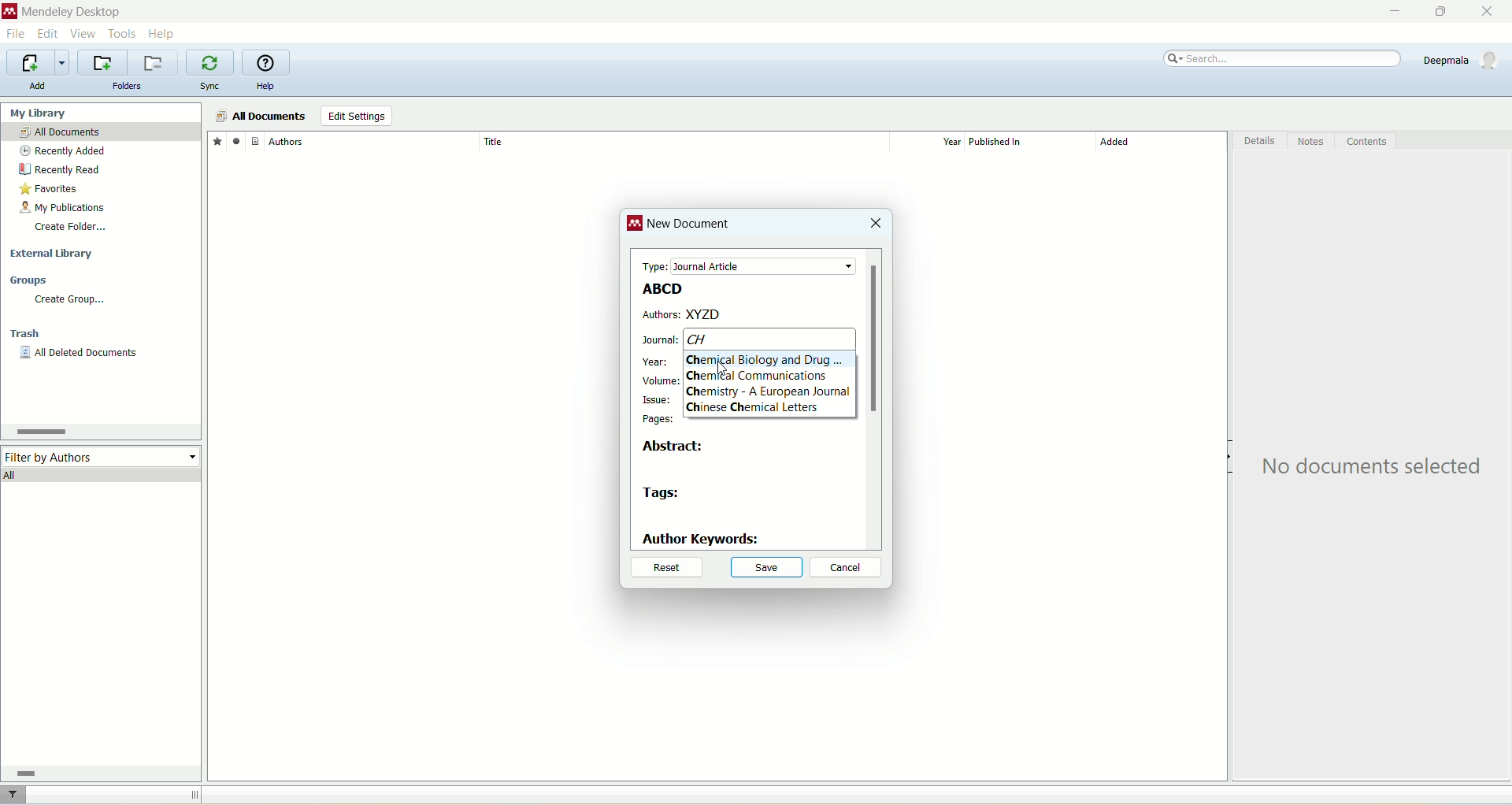 This screenshot has height=805, width=1512. What do you see at coordinates (1376, 467) in the screenshot?
I see `text` at bounding box center [1376, 467].